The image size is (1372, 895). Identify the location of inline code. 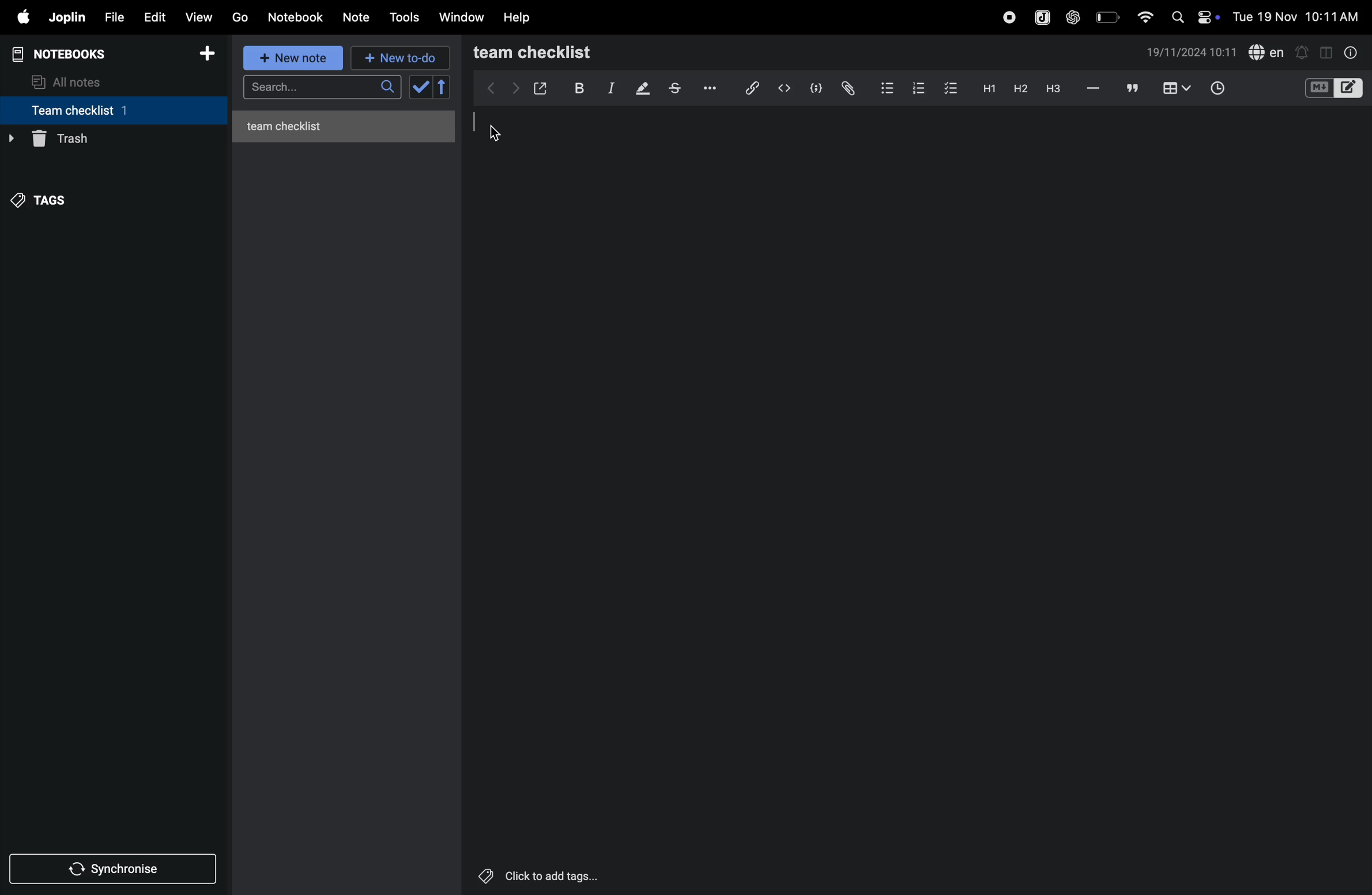
(784, 88).